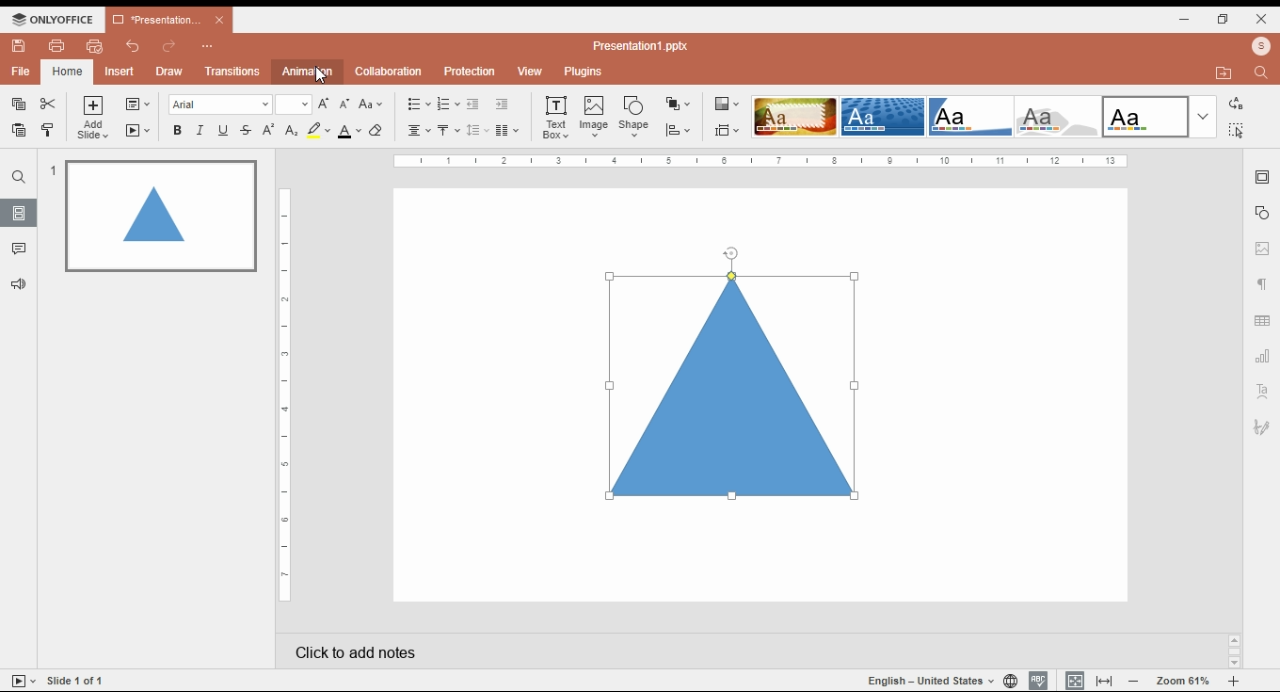 Image resolution: width=1280 pixels, height=692 pixels. Describe the element at coordinates (1185, 681) in the screenshot. I see `zoom in/zoom out` at that location.